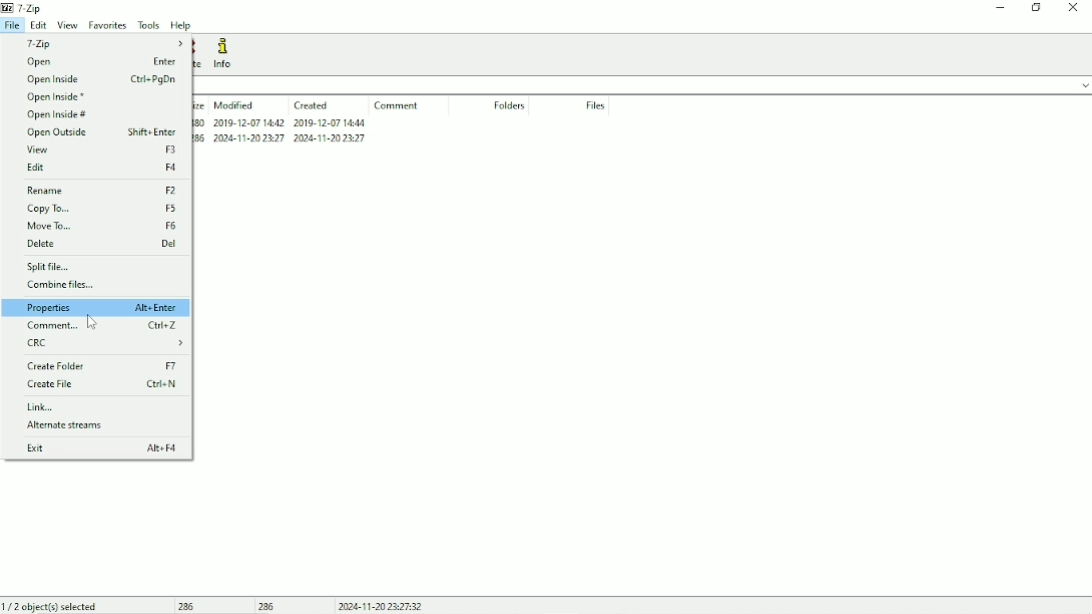  Describe the element at coordinates (69, 25) in the screenshot. I see `View` at that location.